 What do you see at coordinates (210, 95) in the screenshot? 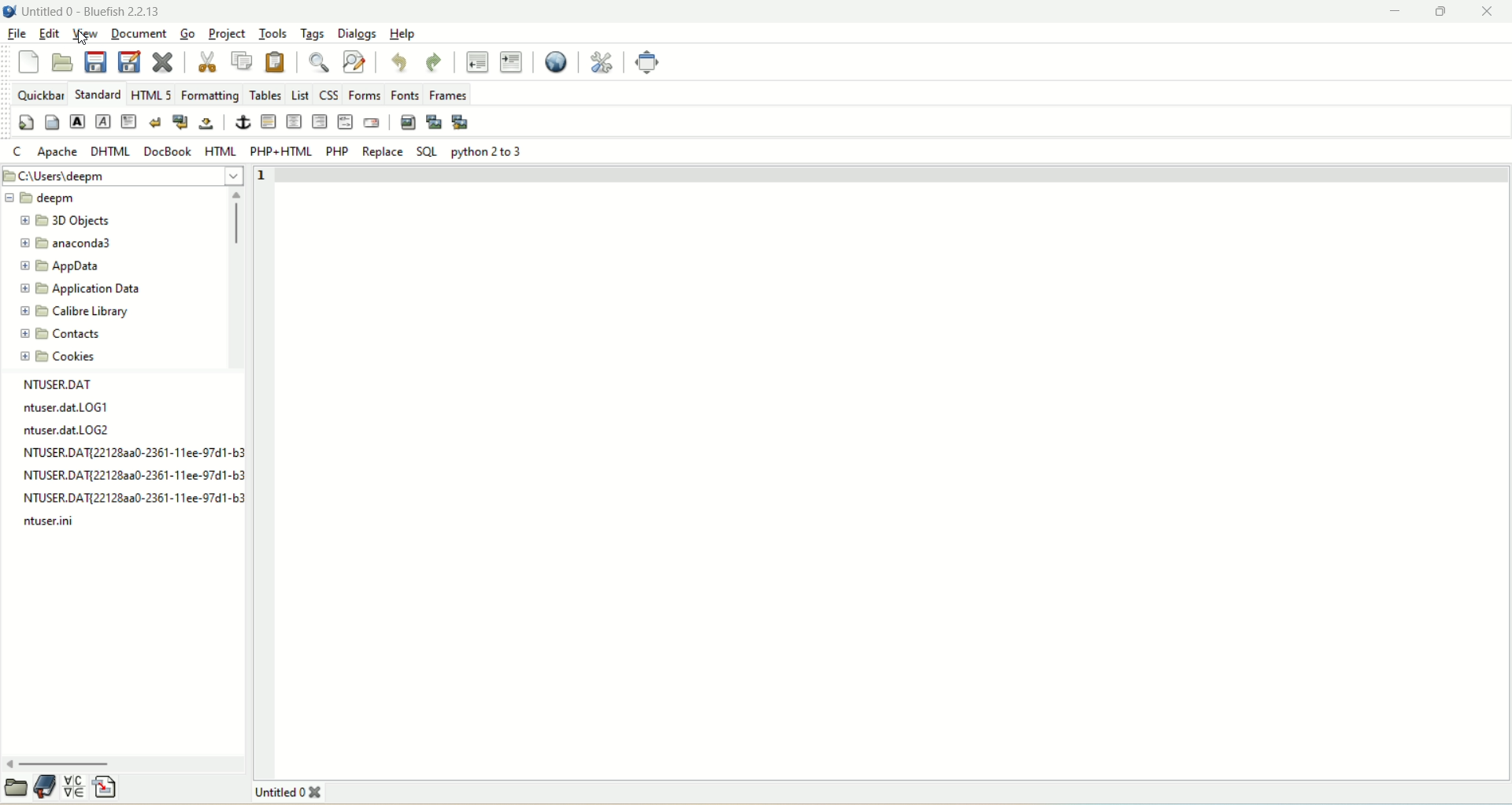
I see `formatting` at bounding box center [210, 95].